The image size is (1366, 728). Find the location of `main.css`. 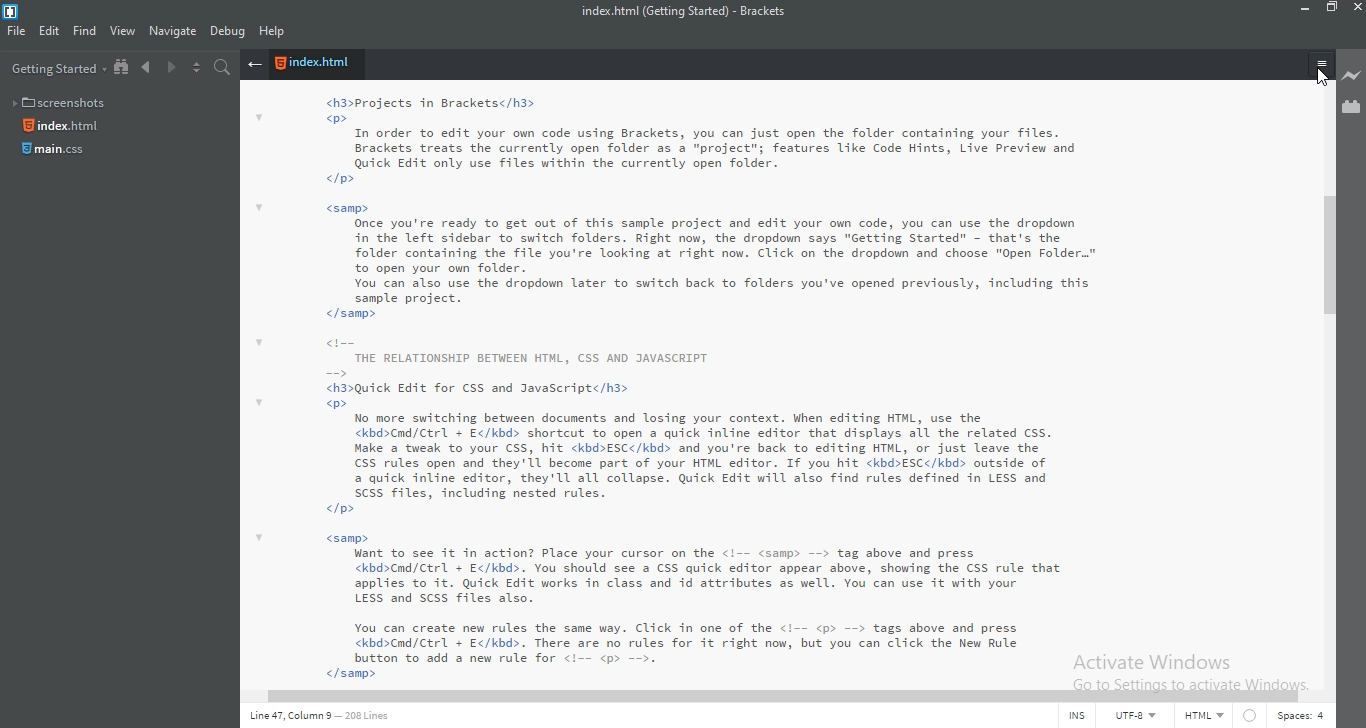

main.css is located at coordinates (56, 154).